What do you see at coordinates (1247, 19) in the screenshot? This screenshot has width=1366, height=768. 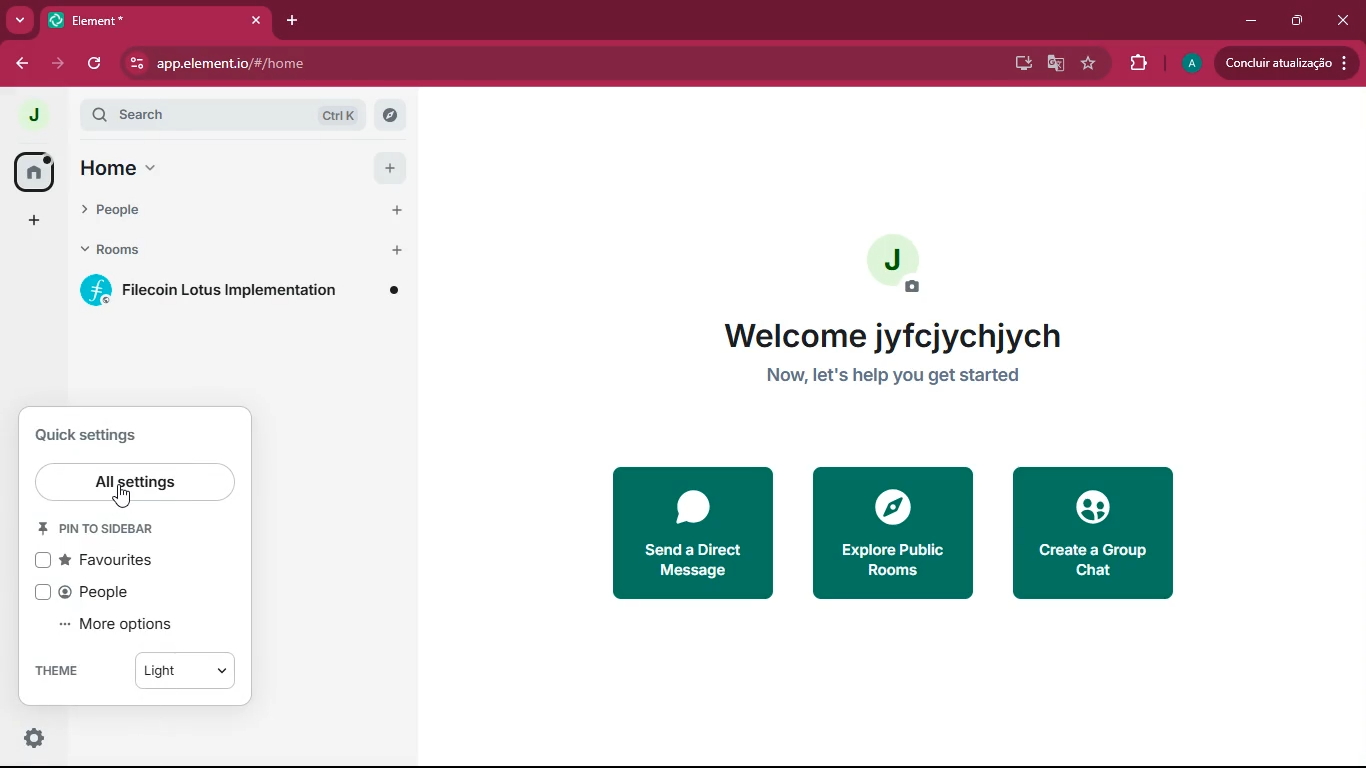 I see `minimize` at bounding box center [1247, 19].